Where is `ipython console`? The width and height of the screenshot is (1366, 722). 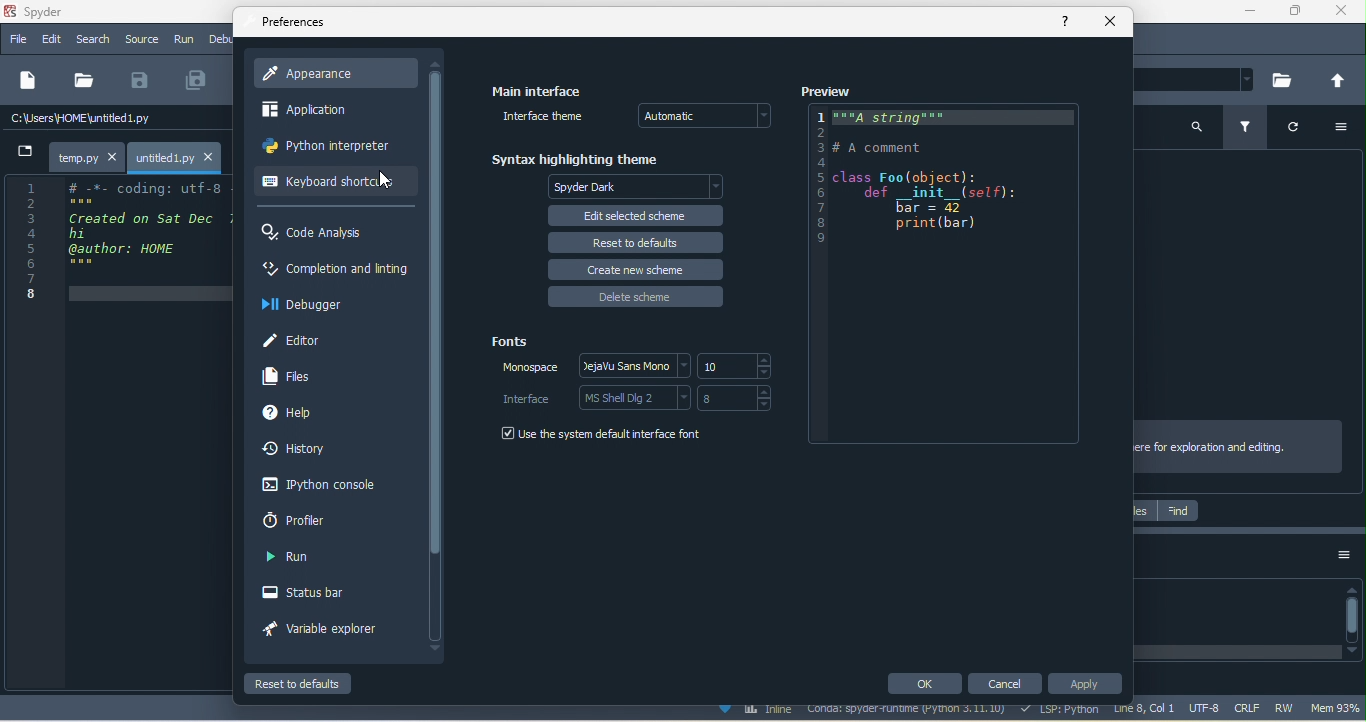 ipython console is located at coordinates (322, 485).